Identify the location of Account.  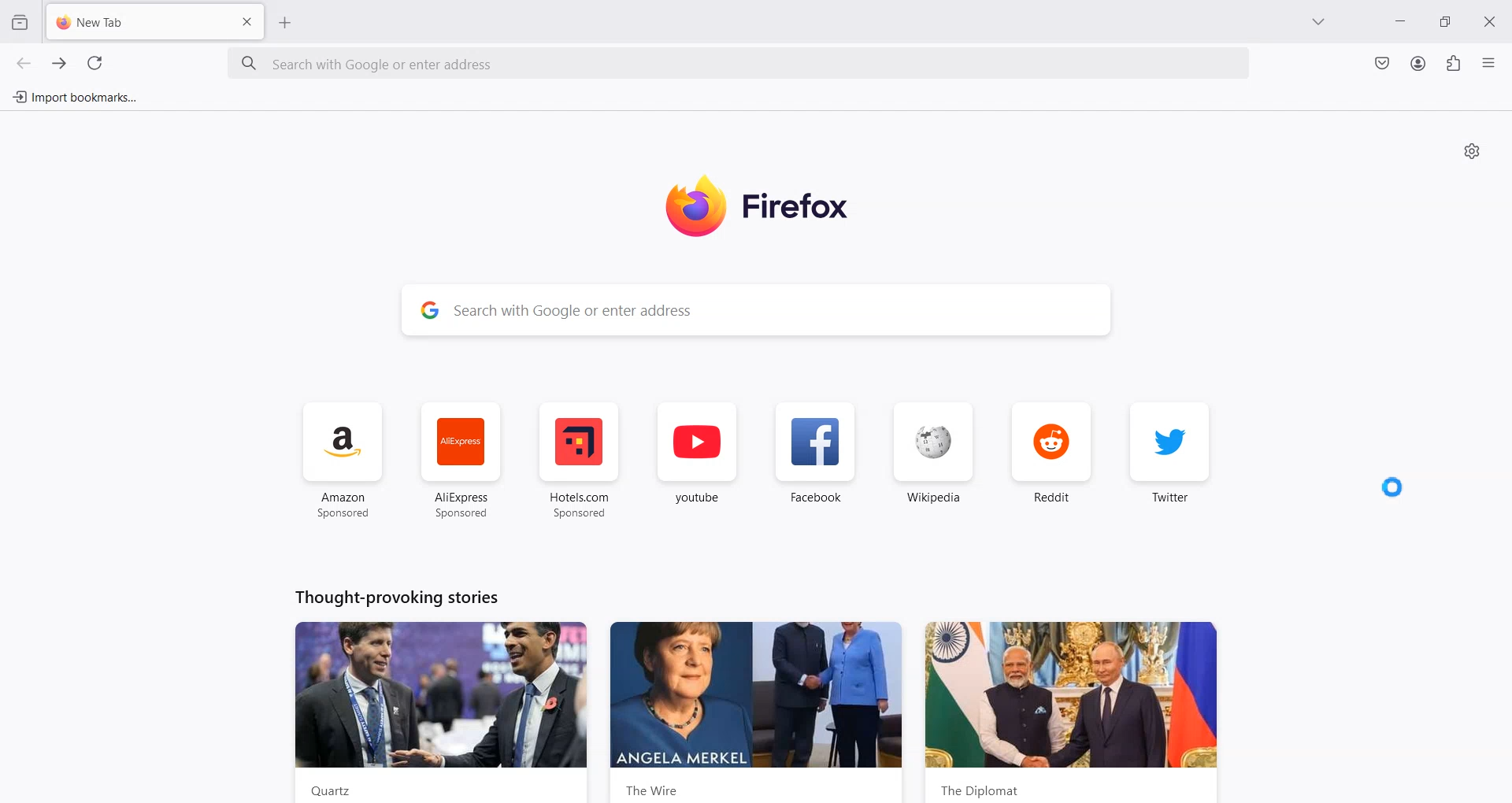
(1418, 63).